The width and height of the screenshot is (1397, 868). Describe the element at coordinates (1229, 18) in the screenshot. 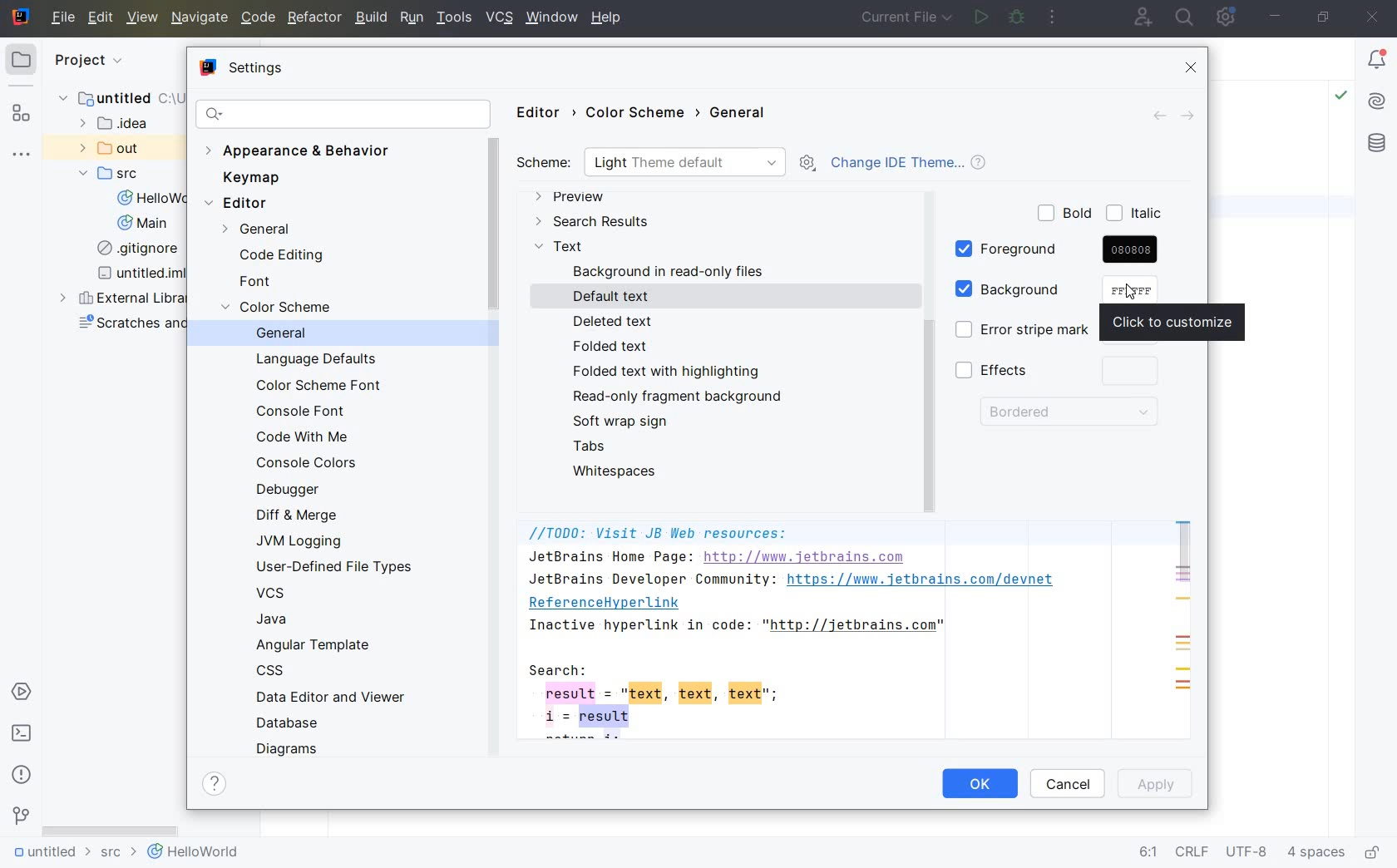

I see `IDE and Project Settings` at that location.